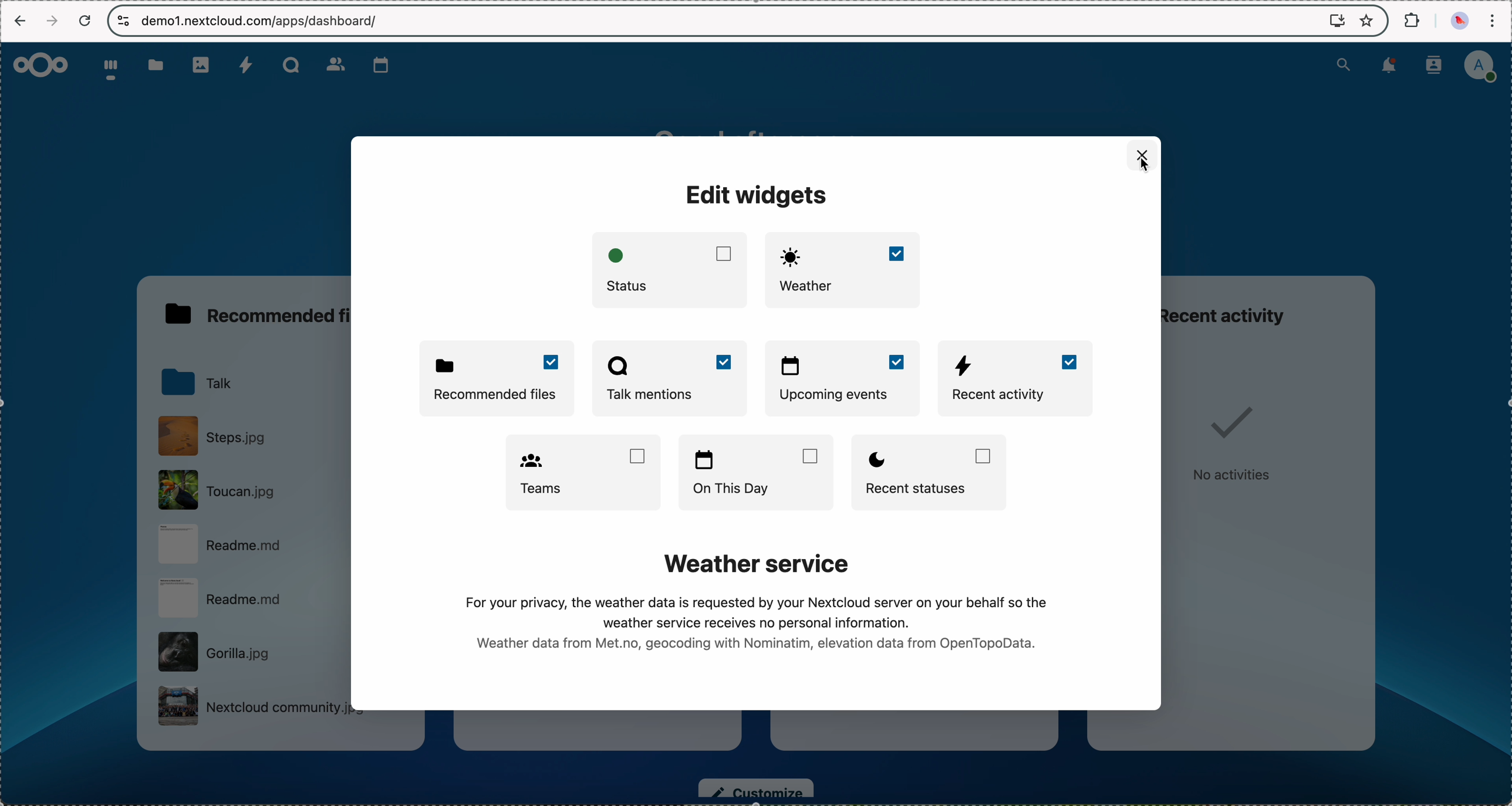  Describe the element at coordinates (1458, 23) in the screenshot. I see `profile picture` at that location.